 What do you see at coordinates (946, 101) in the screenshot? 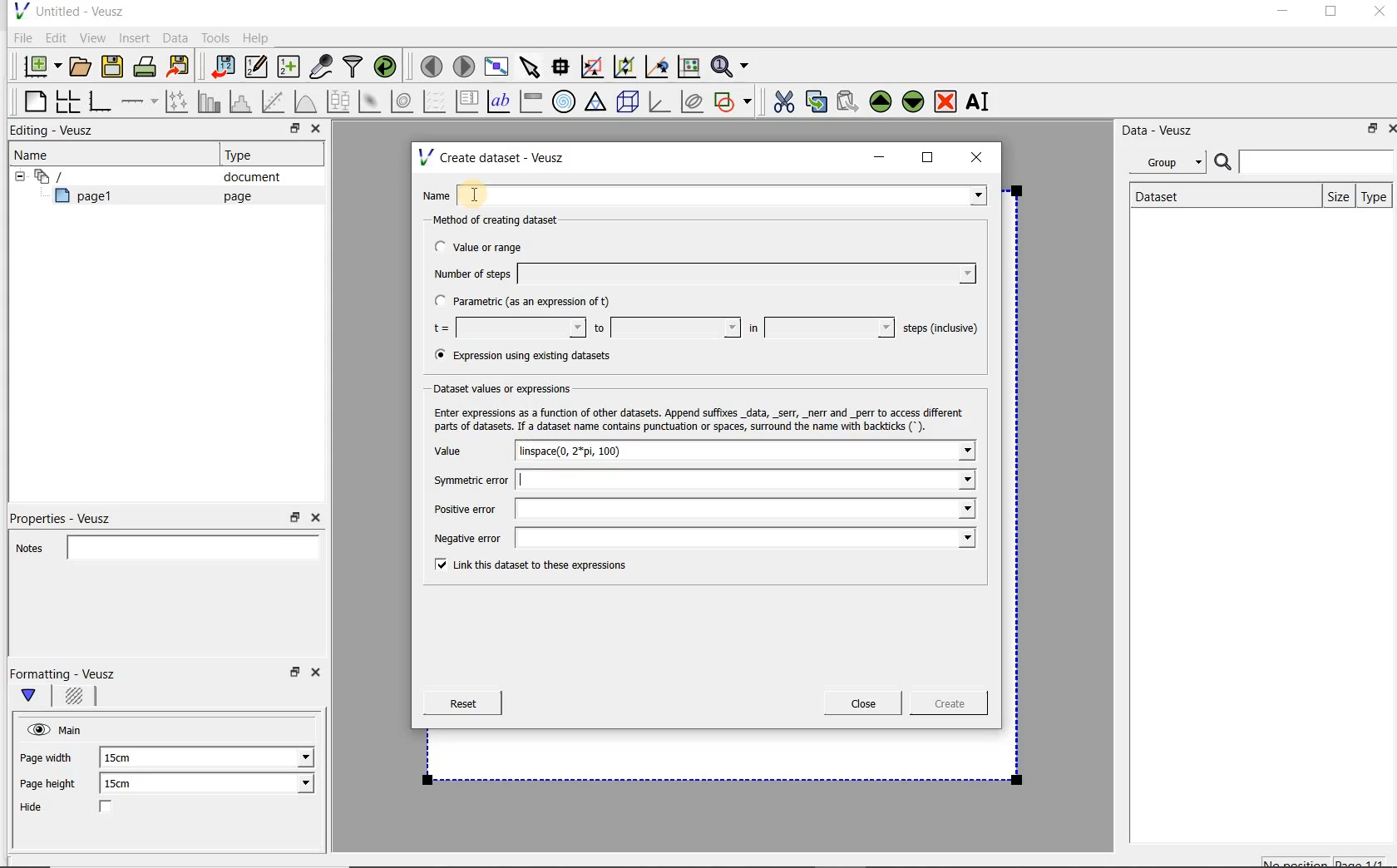
I see `remove the selected widget` at bounding box center [946, 101].